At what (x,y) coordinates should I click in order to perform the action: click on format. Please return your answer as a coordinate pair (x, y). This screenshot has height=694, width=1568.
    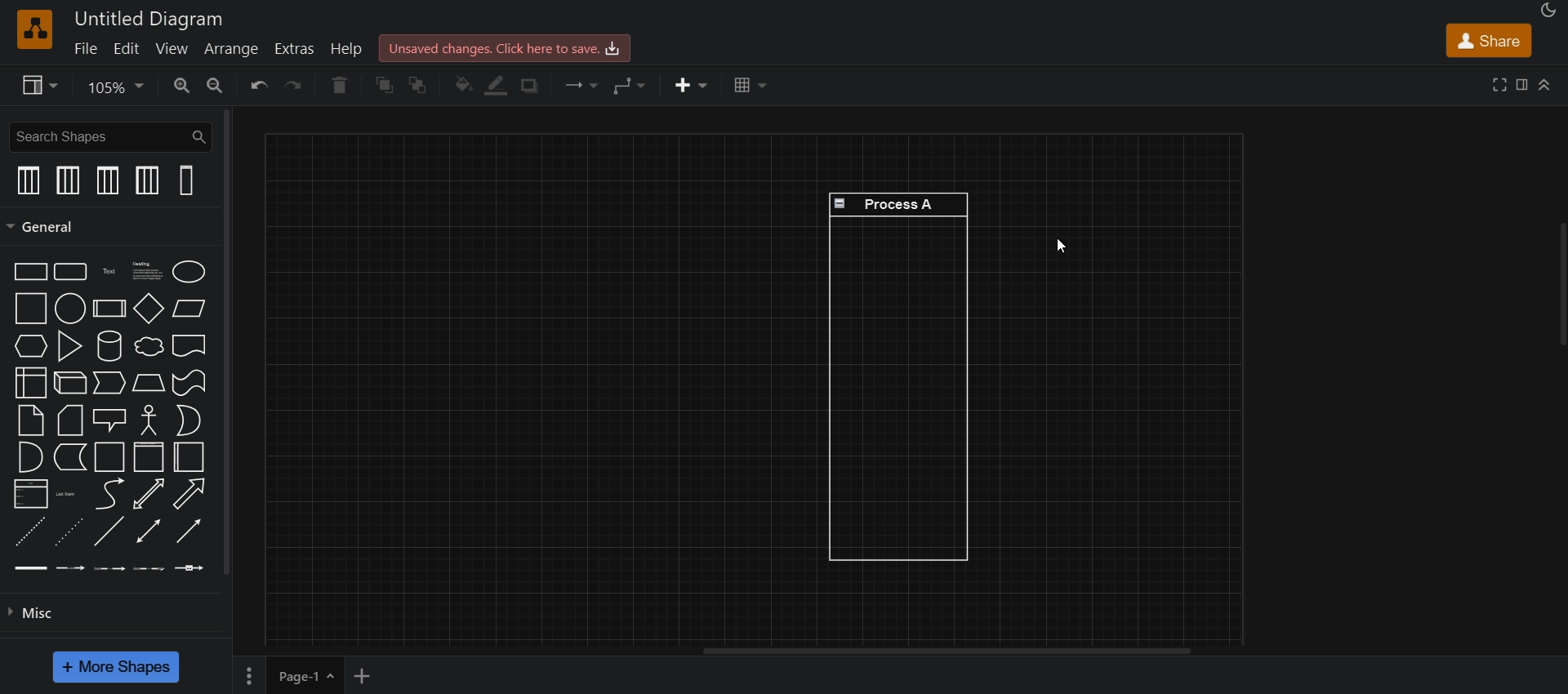
    Looking at the image, I should click on (1521, 85).